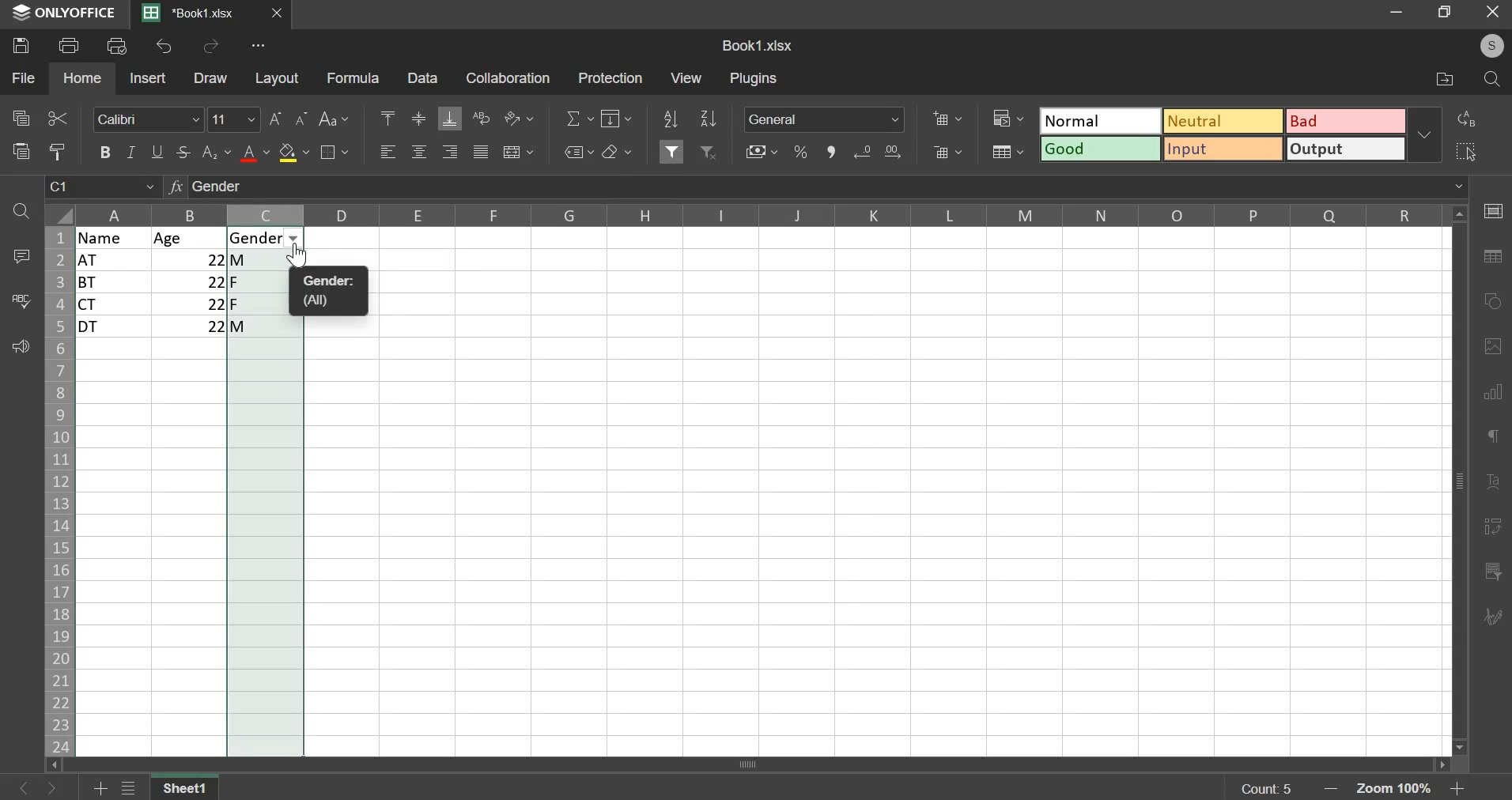 Image resolution: width=1512 pixels, height=800 pixels. I want to click on italic, so click(130, 152).